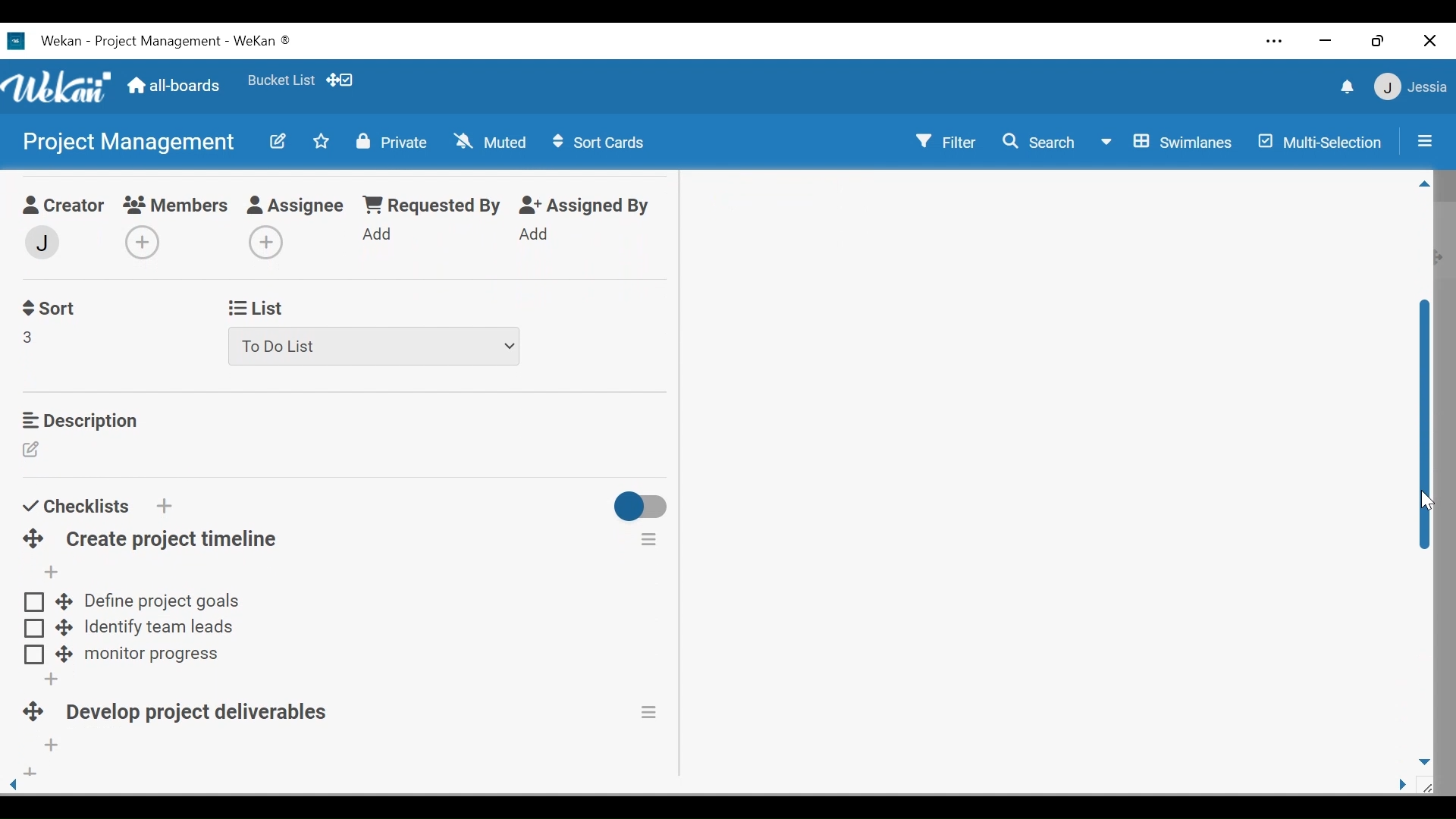 The image size is (1456, 819). Describe the element at coordinates (1429, 41) in the screenshot. I see `close` at that location.